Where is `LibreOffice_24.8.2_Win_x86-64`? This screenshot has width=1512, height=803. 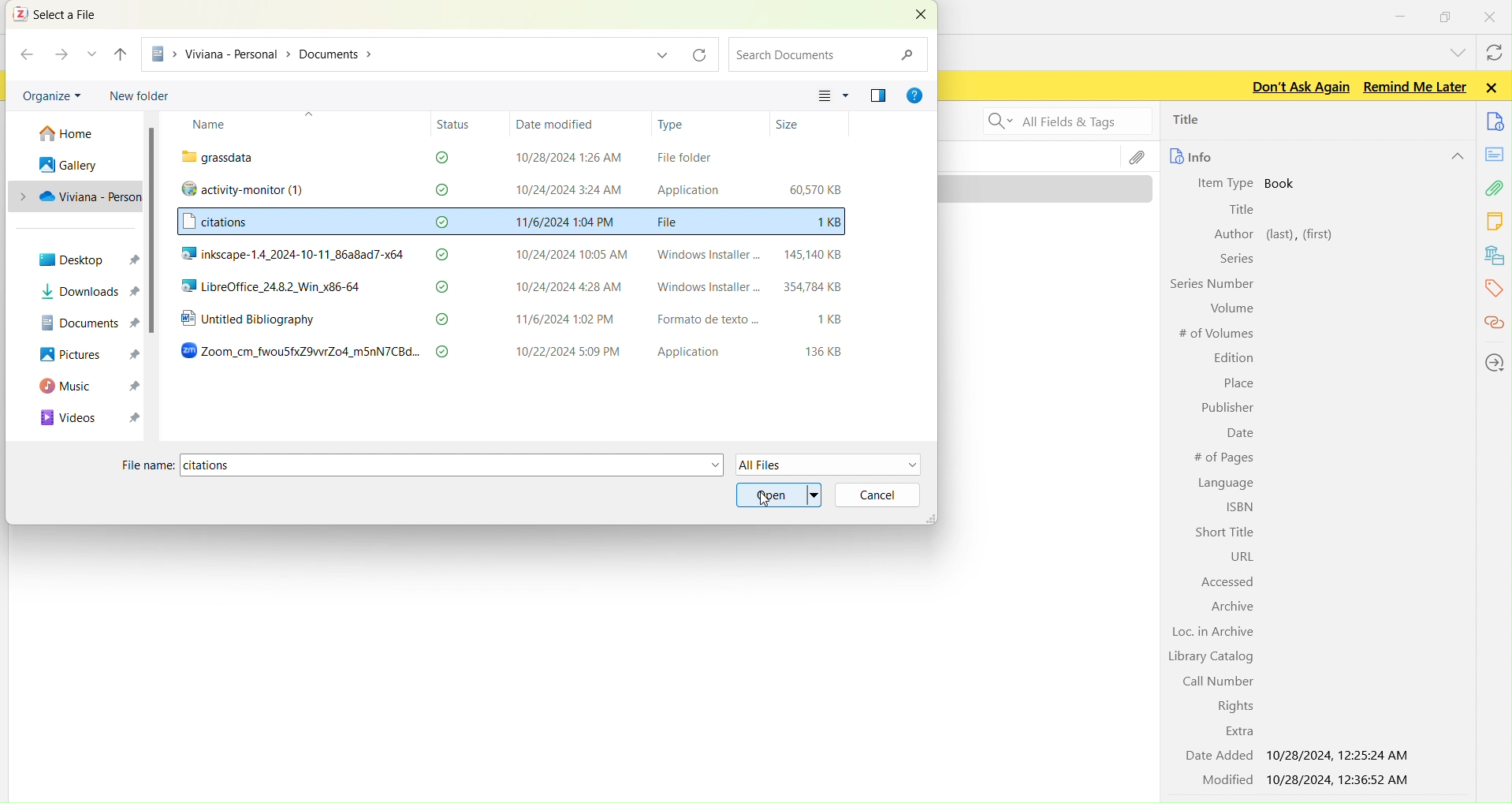 LibreOffice_24.8.2_Win_x86-64 is located at coordinates (289, 288).